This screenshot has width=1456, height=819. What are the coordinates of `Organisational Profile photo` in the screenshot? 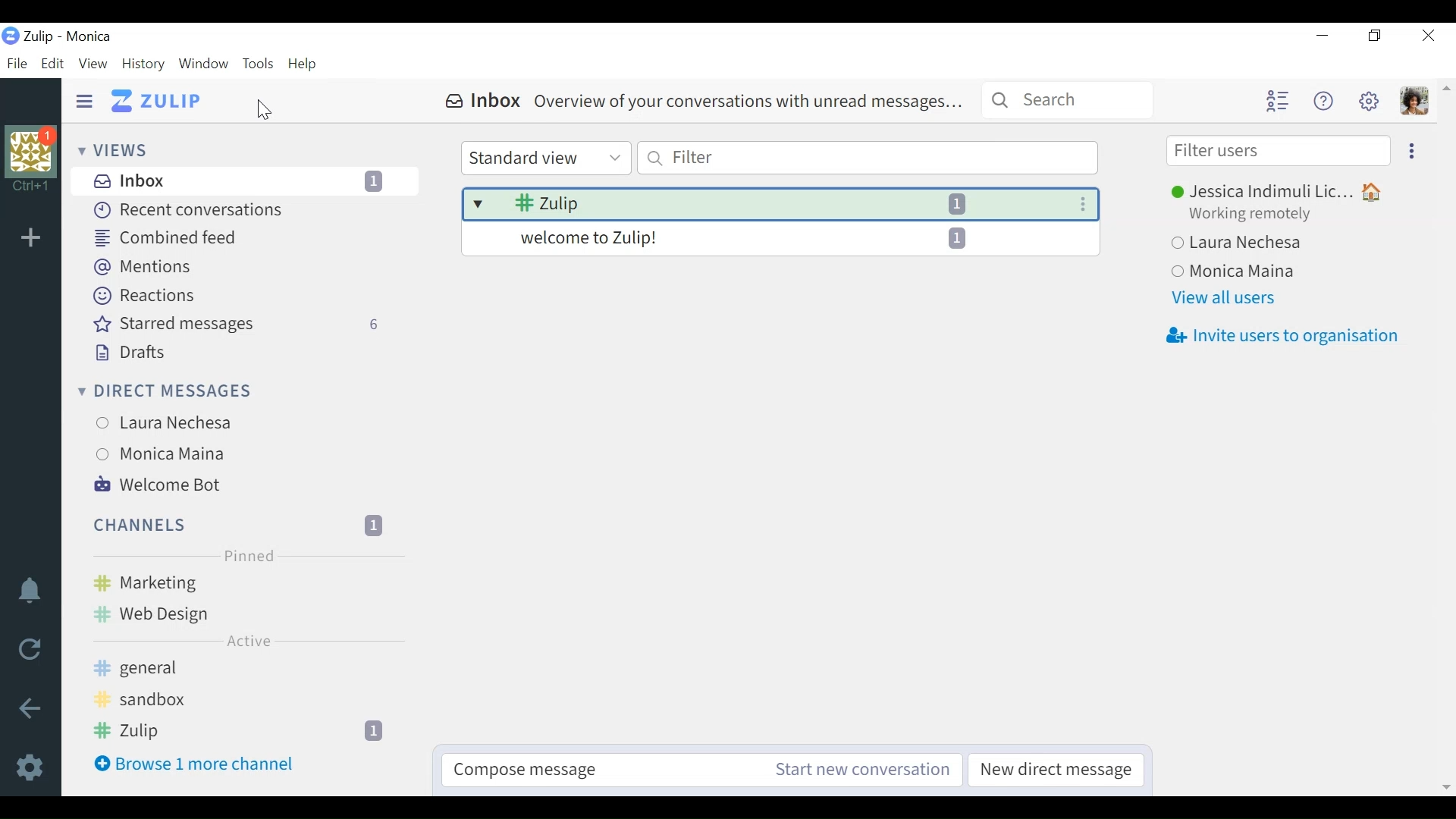 It's located at (31, 162).